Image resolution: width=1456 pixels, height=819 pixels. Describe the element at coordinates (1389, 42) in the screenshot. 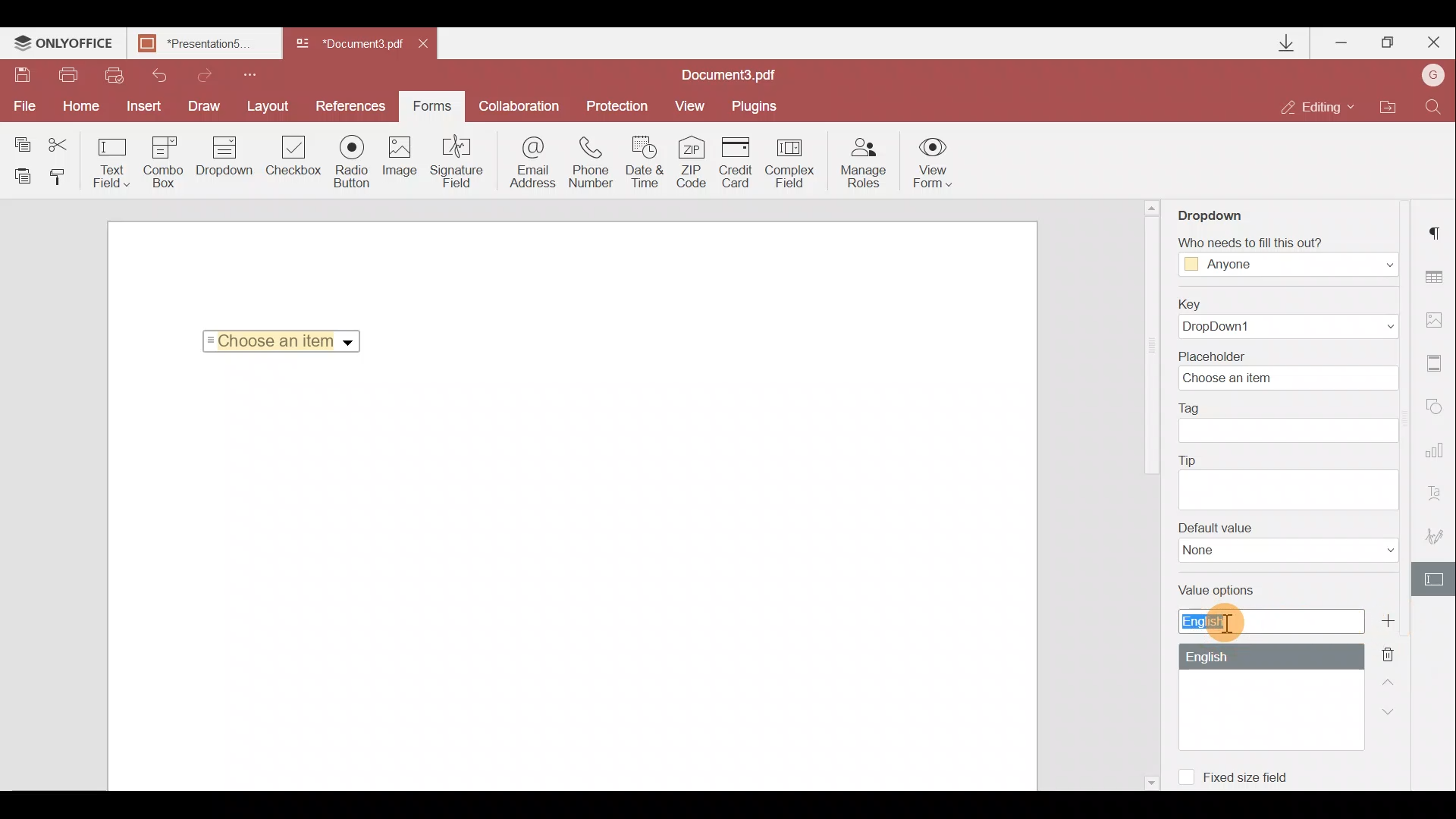

I see `Maximize` at that location.